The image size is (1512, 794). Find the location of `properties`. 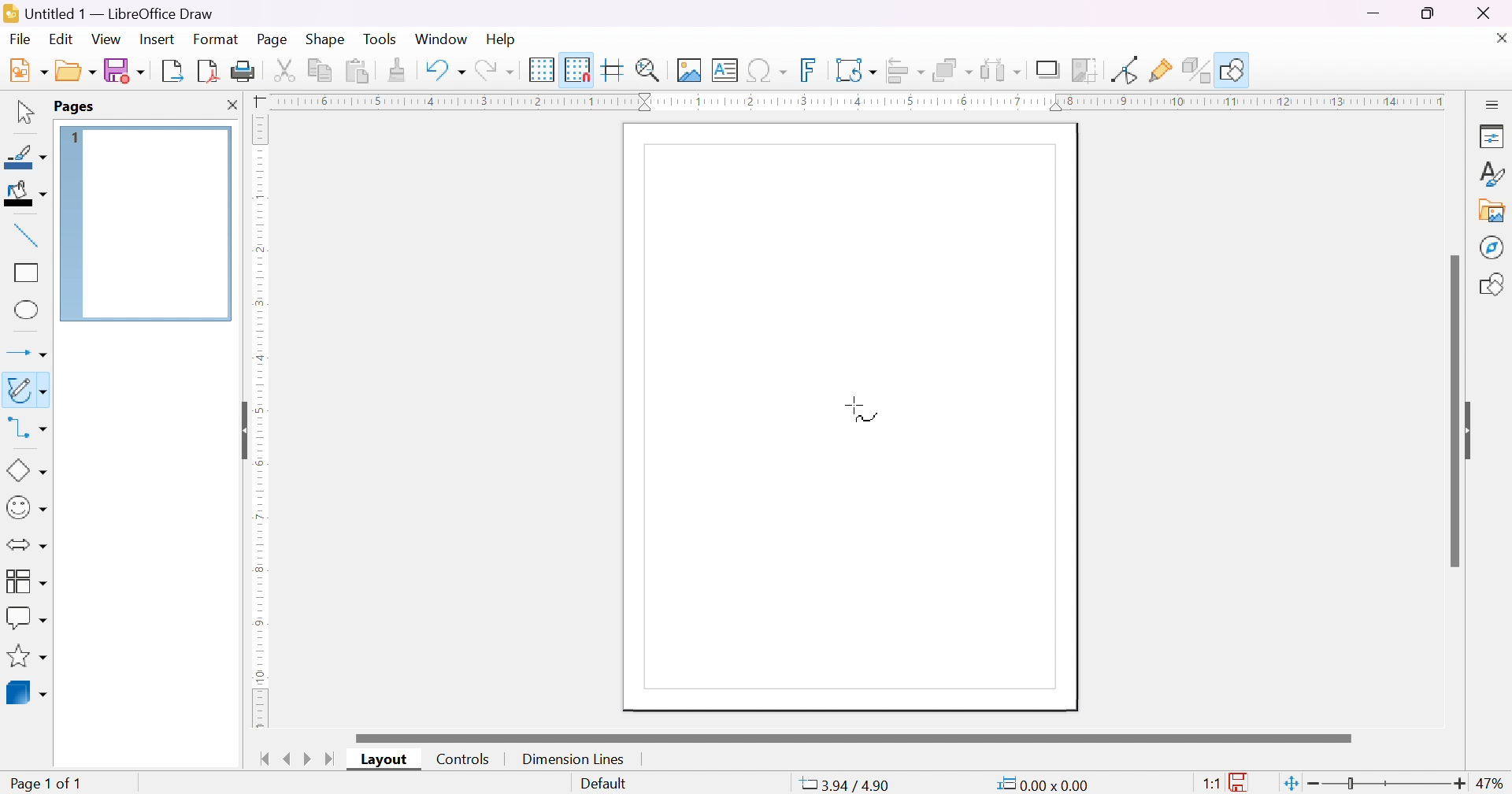

properties is located at coordinates (1492, 135).